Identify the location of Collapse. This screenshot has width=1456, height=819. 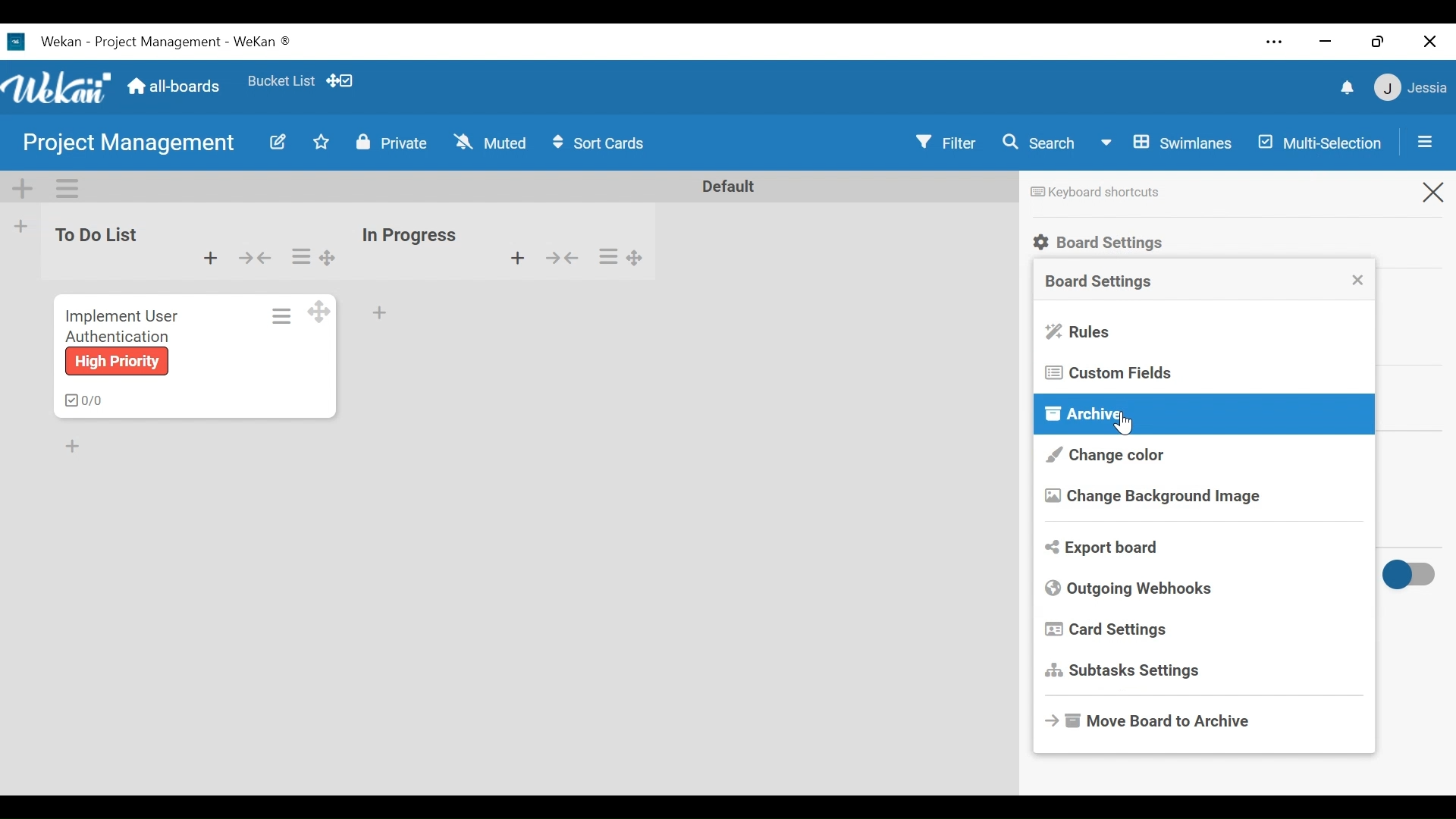
(560, 258).